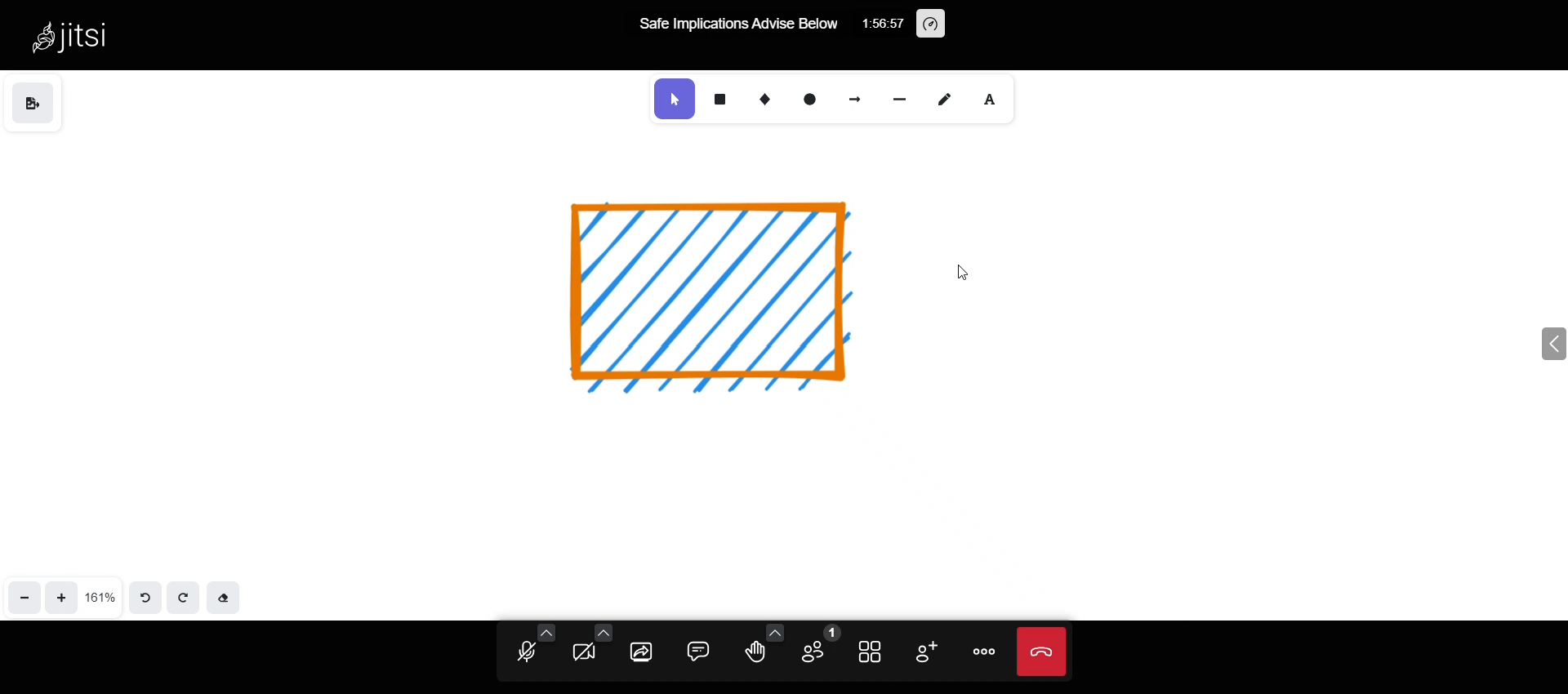 This screenshot has width=1568, height=694. What do you see at coordinates (773, 630) in the screenshot?
I see `more reactions` at bounding box center [773, 630].